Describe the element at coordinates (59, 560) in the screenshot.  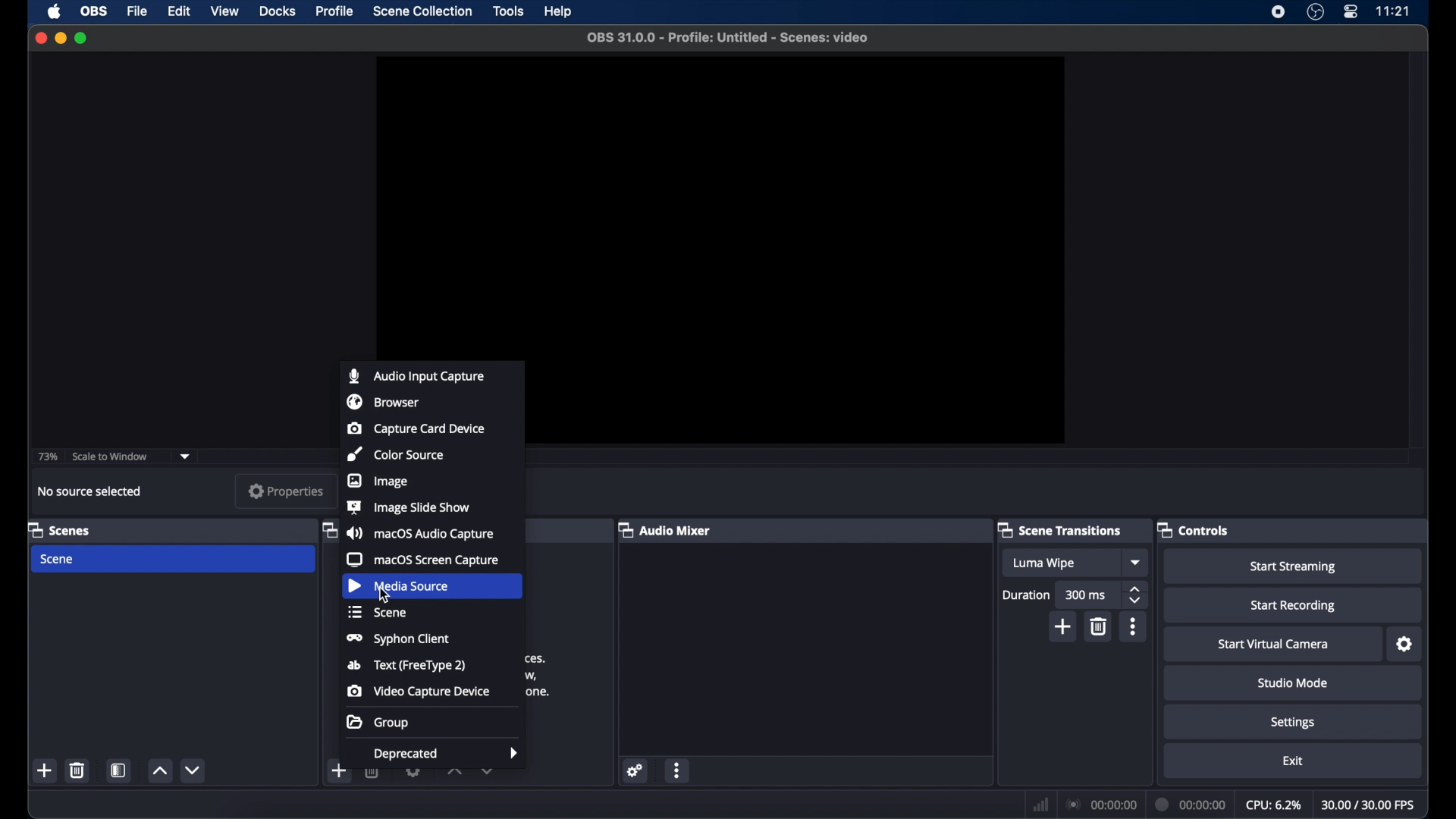
I see `scene` at that location.